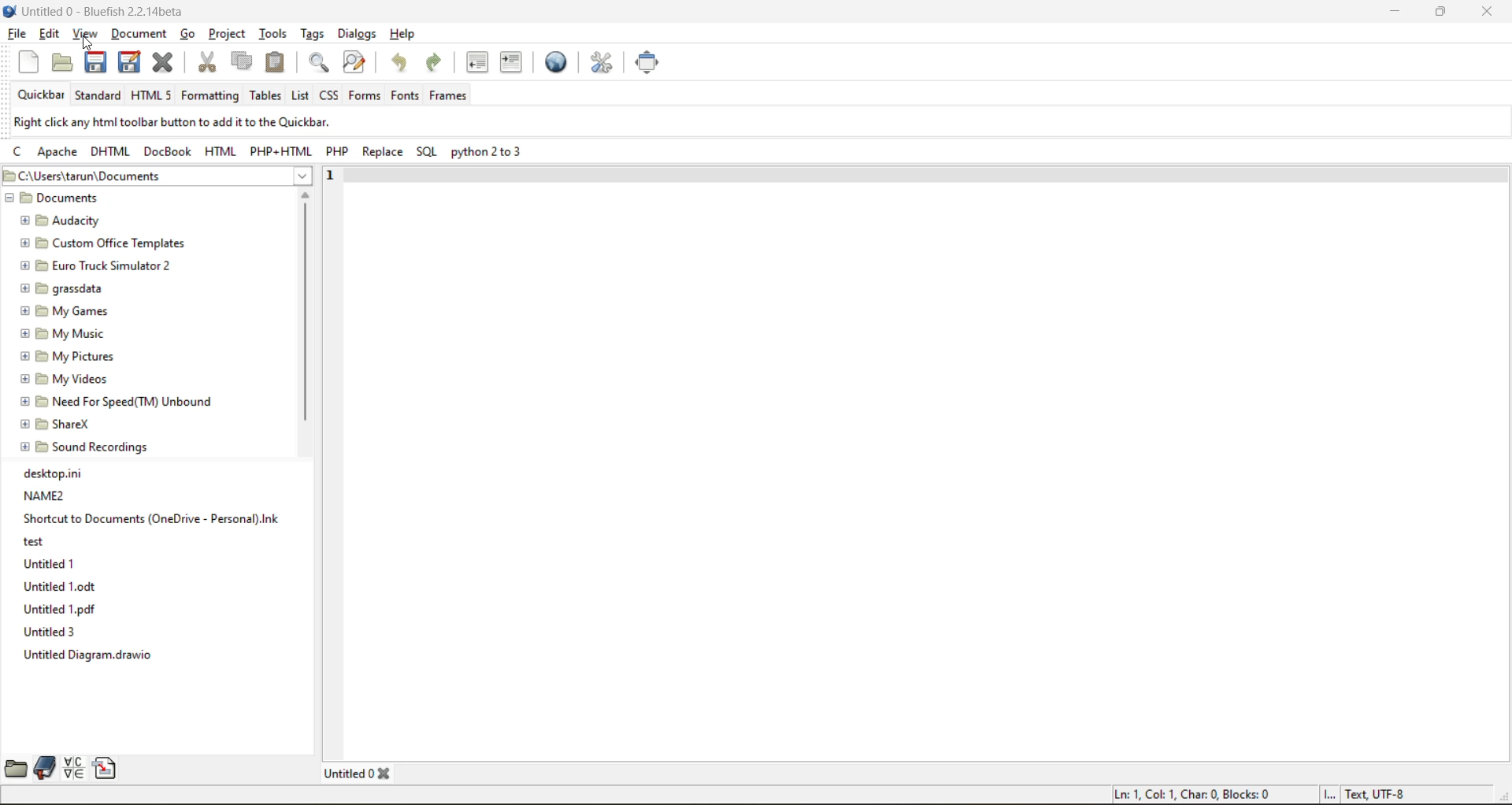 Image resolution: width=1512 pixels, height=805 pixels. Describe the element at coordinates (61, 289) in the screenshot. I see `grassdata` at that location.